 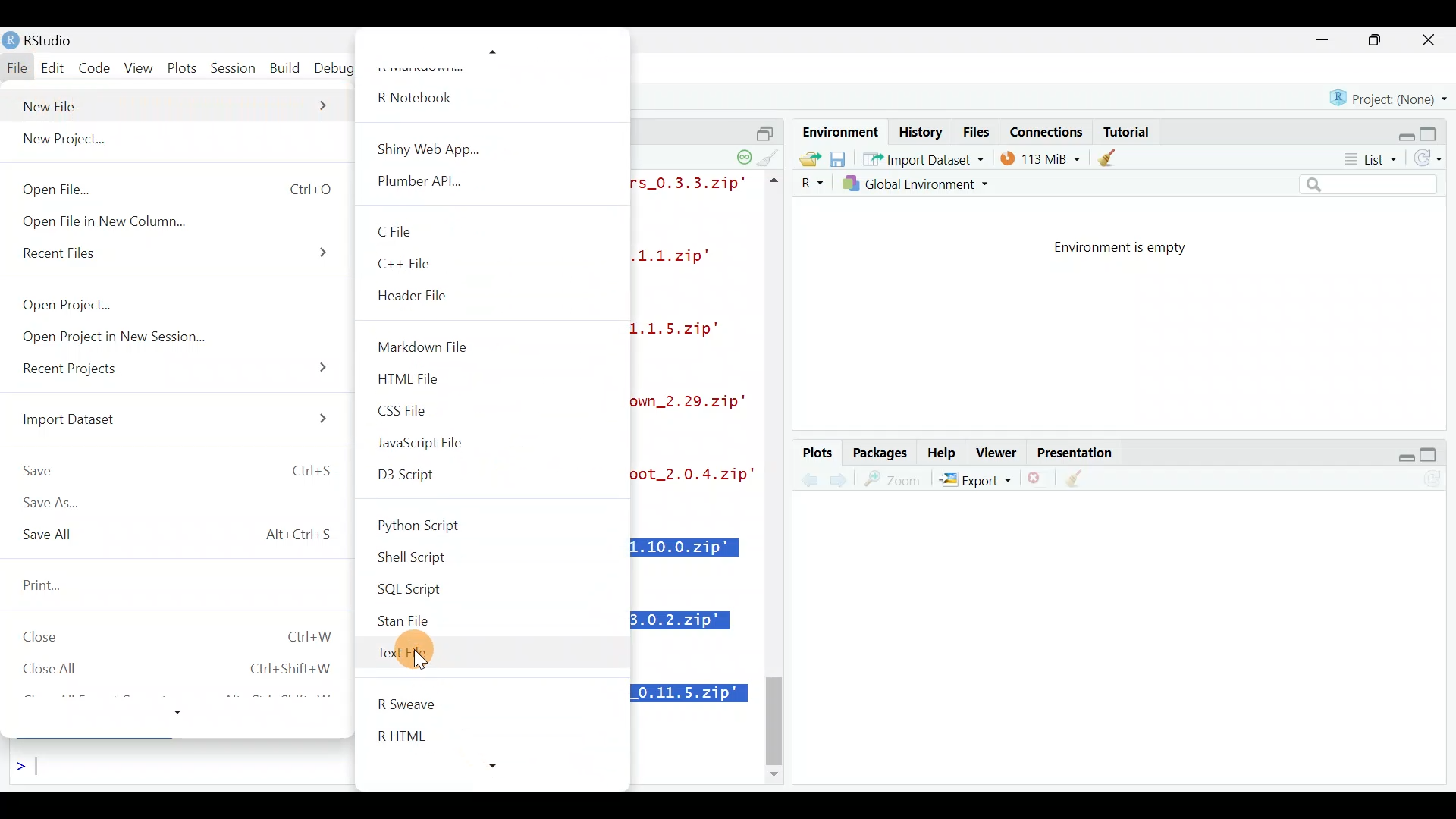 I want to click on Restore down, so click(x=1400, y=131).